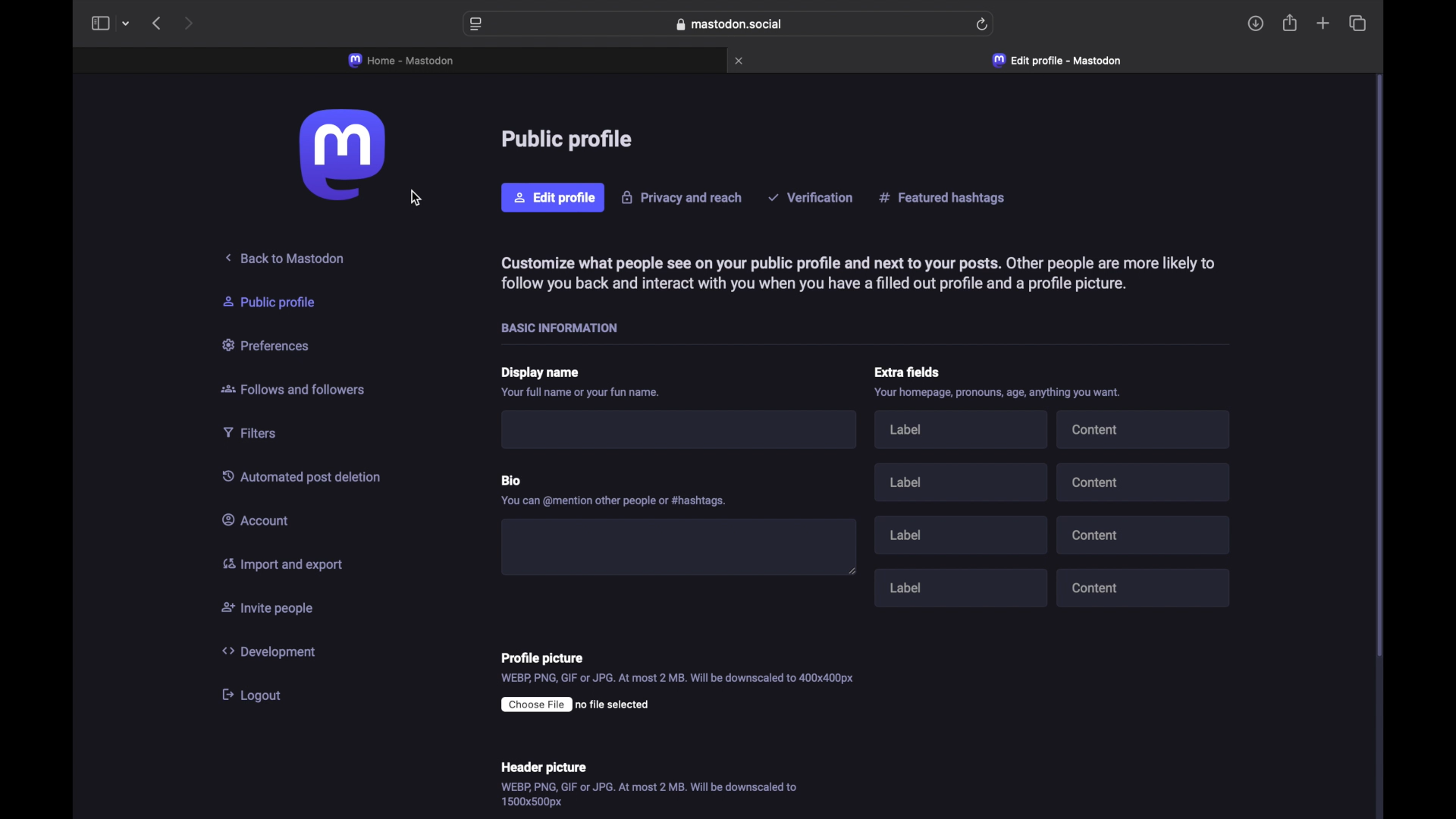 Image resolution: width=1456 pixels, height=819 pixels. Describe the element at coordinates (811, 196) in the screenshot. I see `verification` at that location.